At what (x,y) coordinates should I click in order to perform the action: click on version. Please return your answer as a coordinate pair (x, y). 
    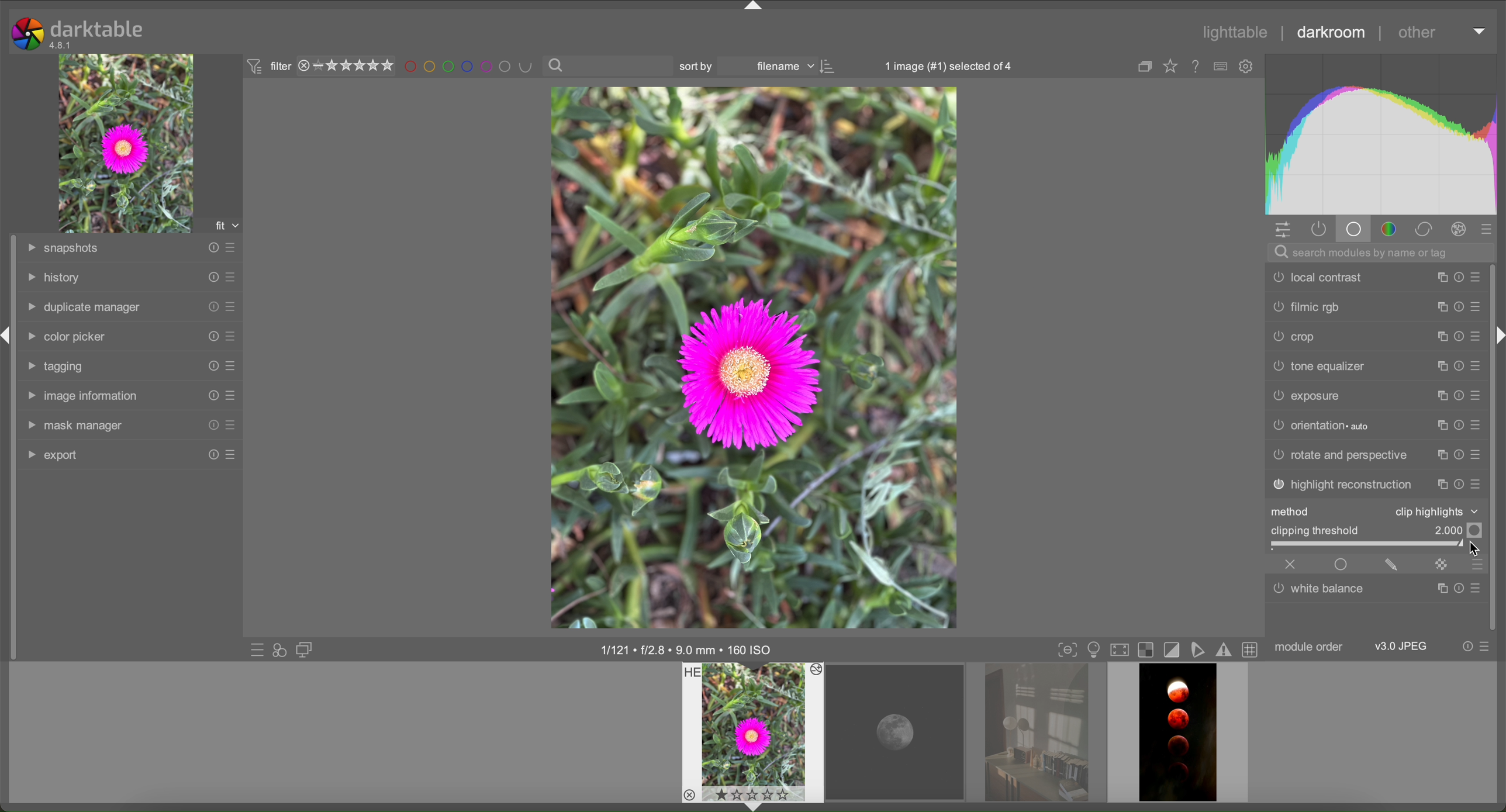
    Looking at the image, I should click on (61, 45).